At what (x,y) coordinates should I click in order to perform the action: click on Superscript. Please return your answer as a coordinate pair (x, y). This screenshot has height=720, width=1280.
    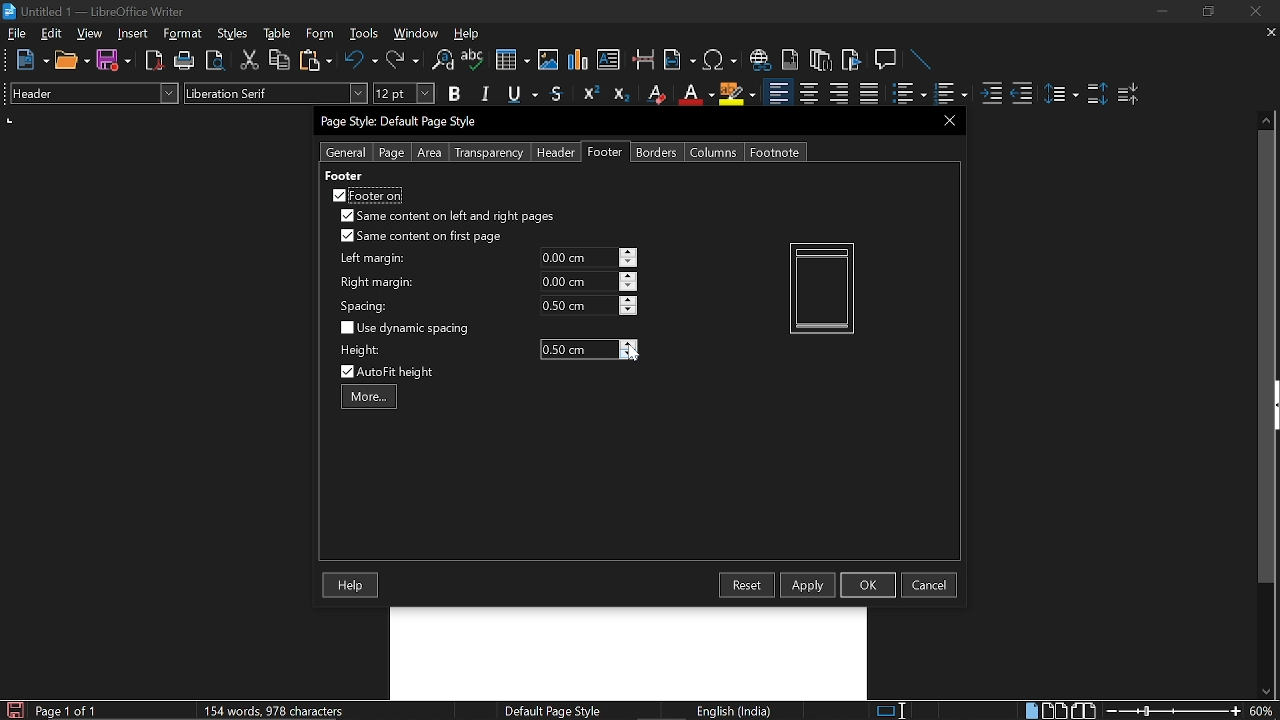
    Looking at the image, I should click on (588, 94).